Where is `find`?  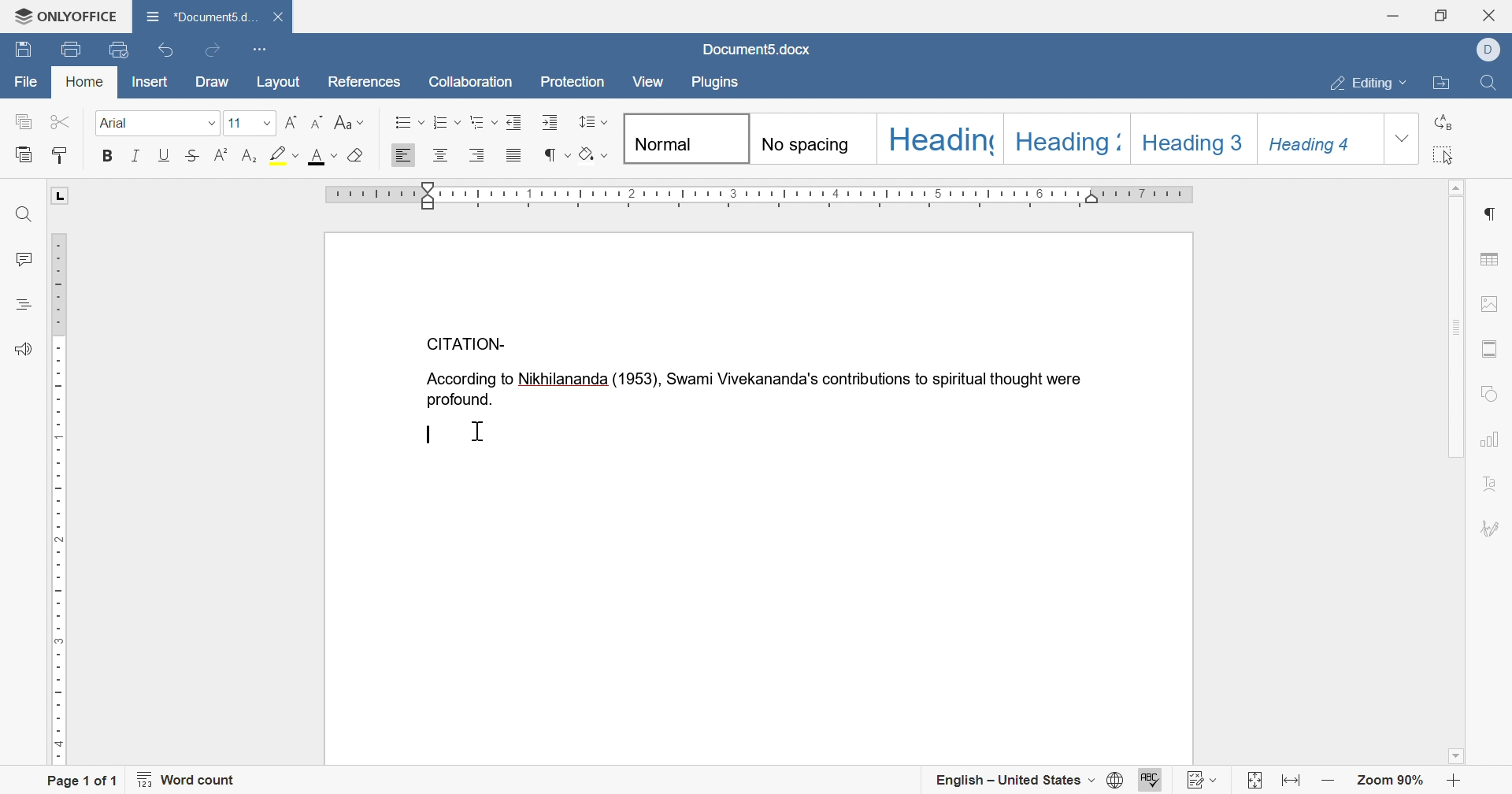 find is located at coordinates (26, 214).